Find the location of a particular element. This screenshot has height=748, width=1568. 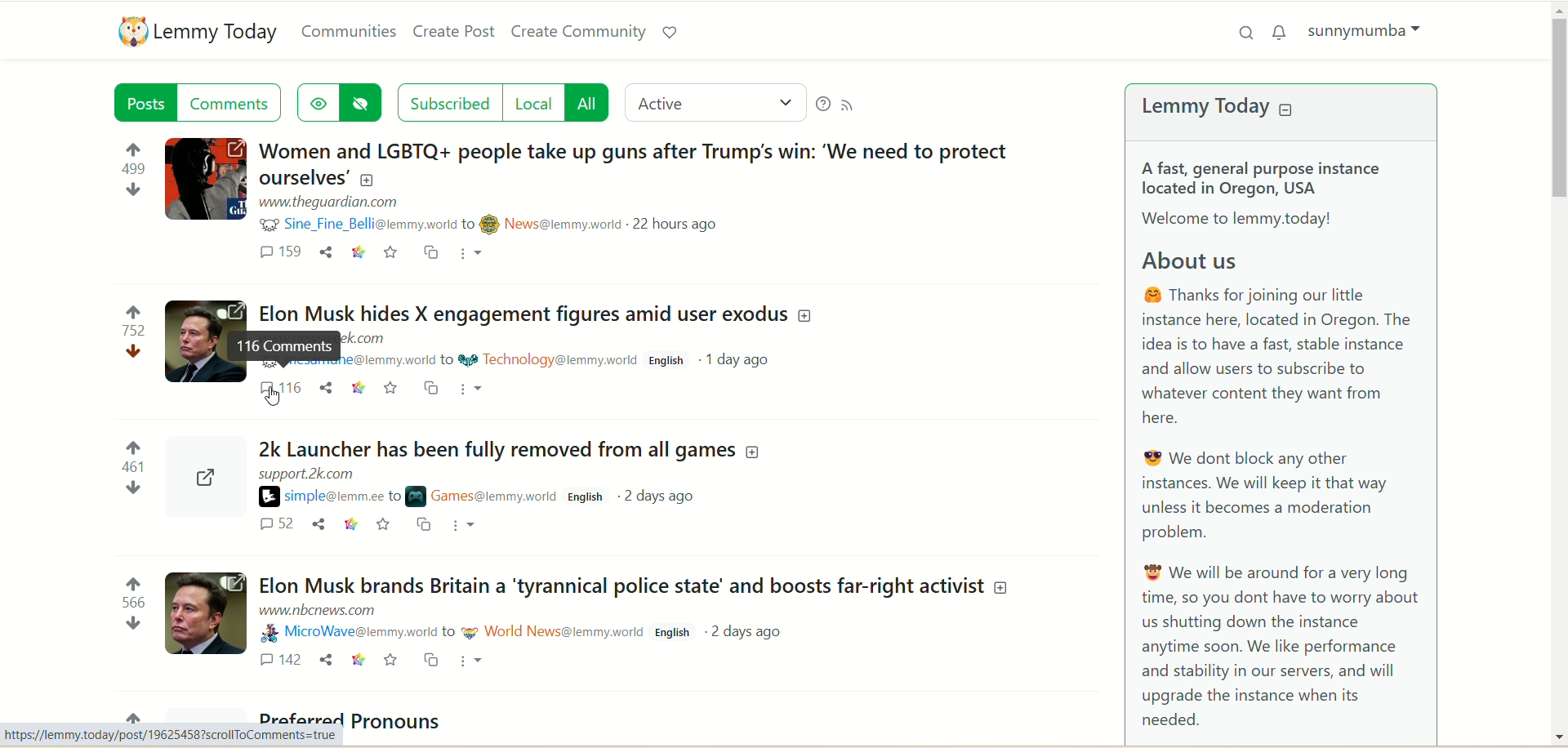

Upvote 499 is located at coordinates (135, 158).